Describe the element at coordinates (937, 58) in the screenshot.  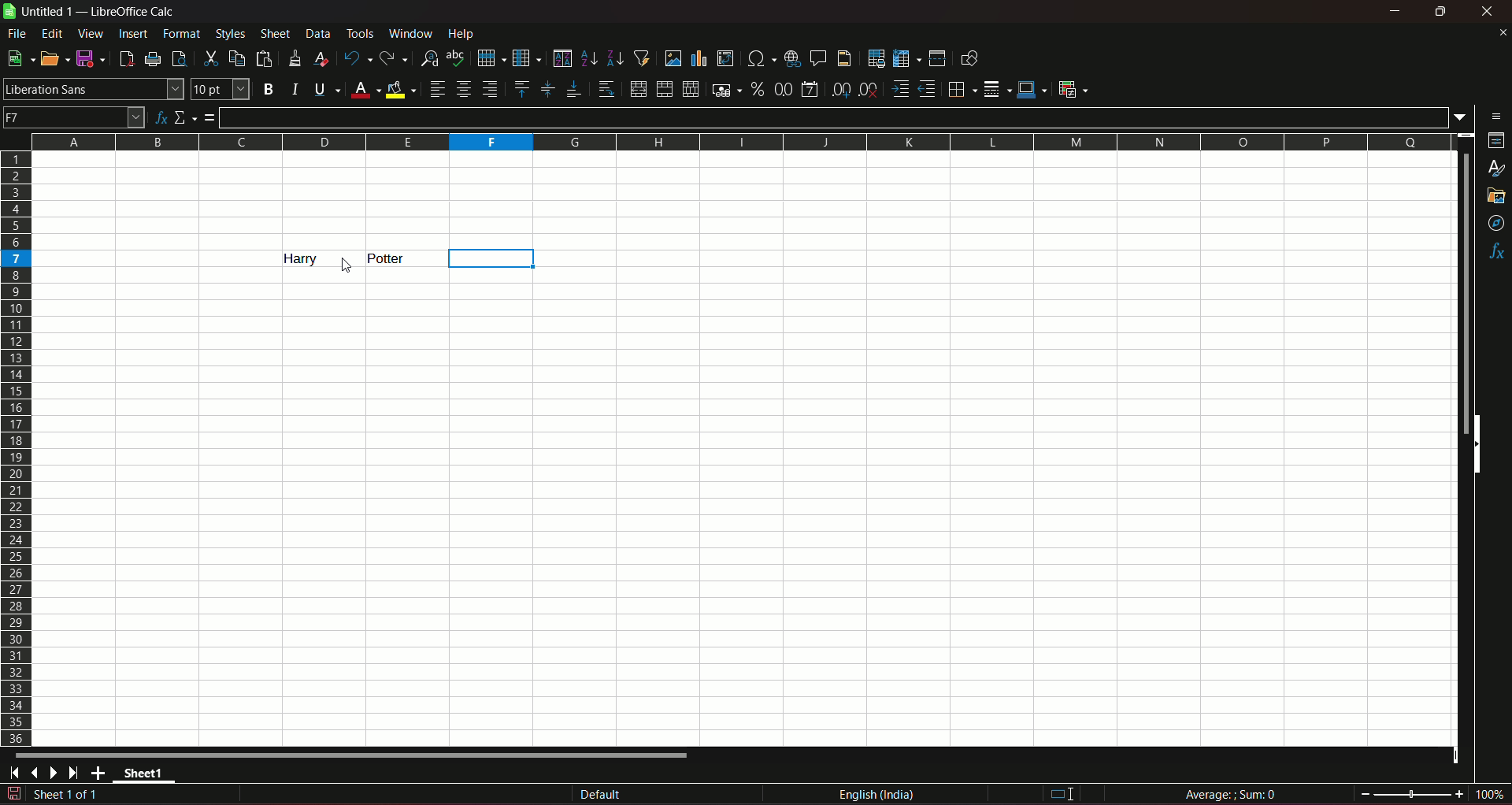
I see `split window` at that location.